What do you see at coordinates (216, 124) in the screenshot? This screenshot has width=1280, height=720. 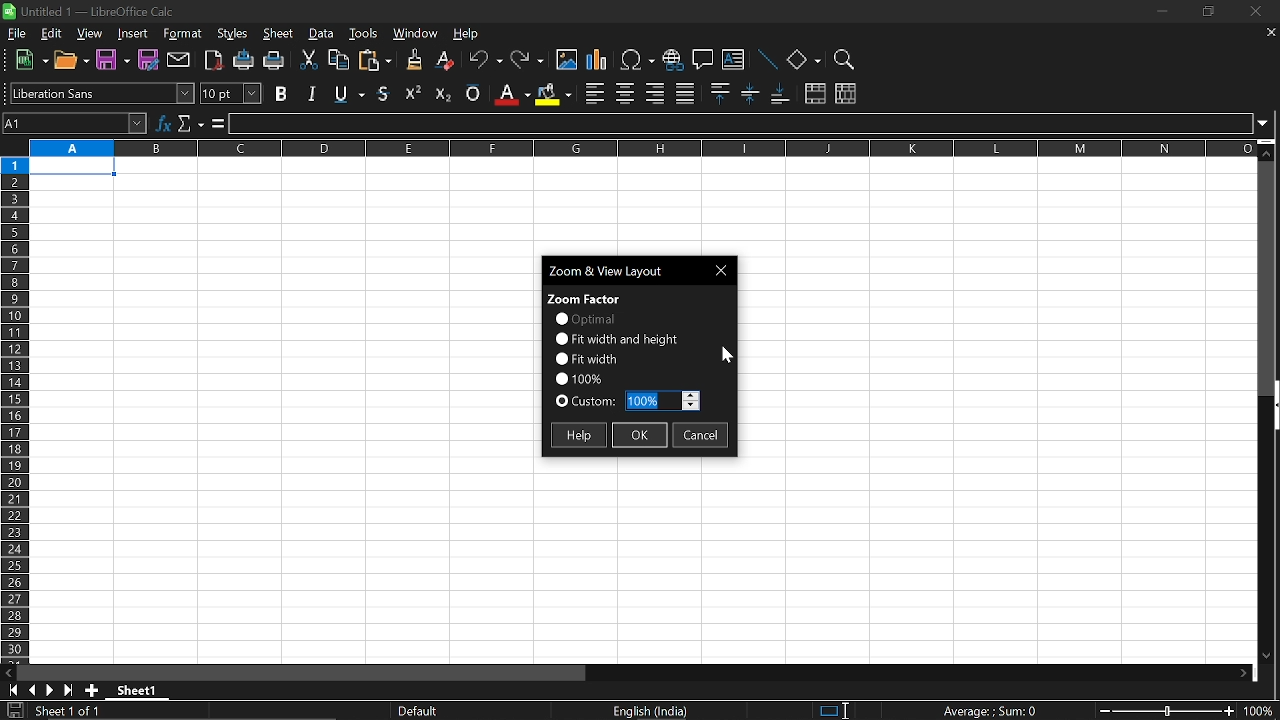 I see `formula` at bounding box center [216, 124].